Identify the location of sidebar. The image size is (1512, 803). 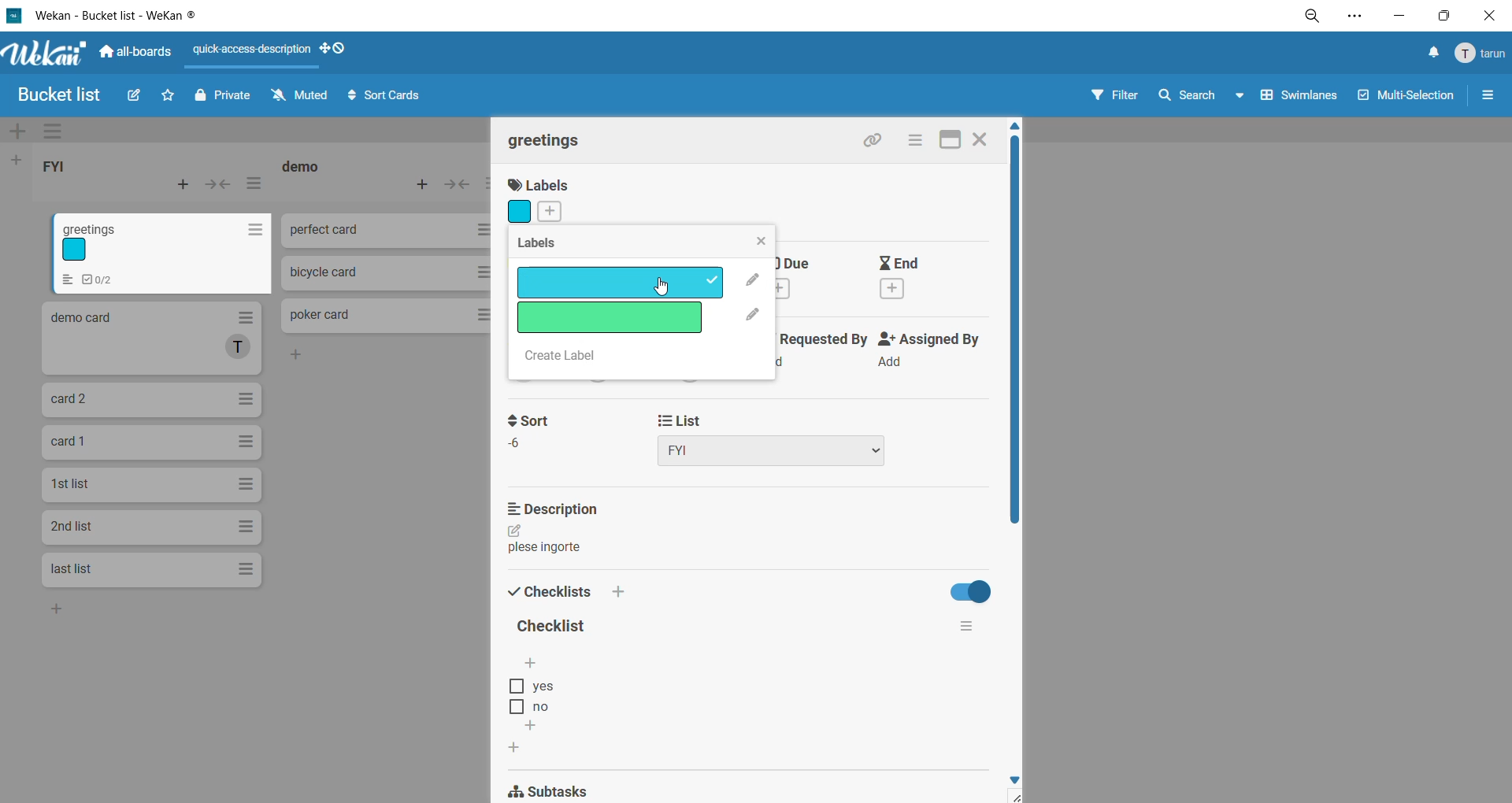
(1489, 96).